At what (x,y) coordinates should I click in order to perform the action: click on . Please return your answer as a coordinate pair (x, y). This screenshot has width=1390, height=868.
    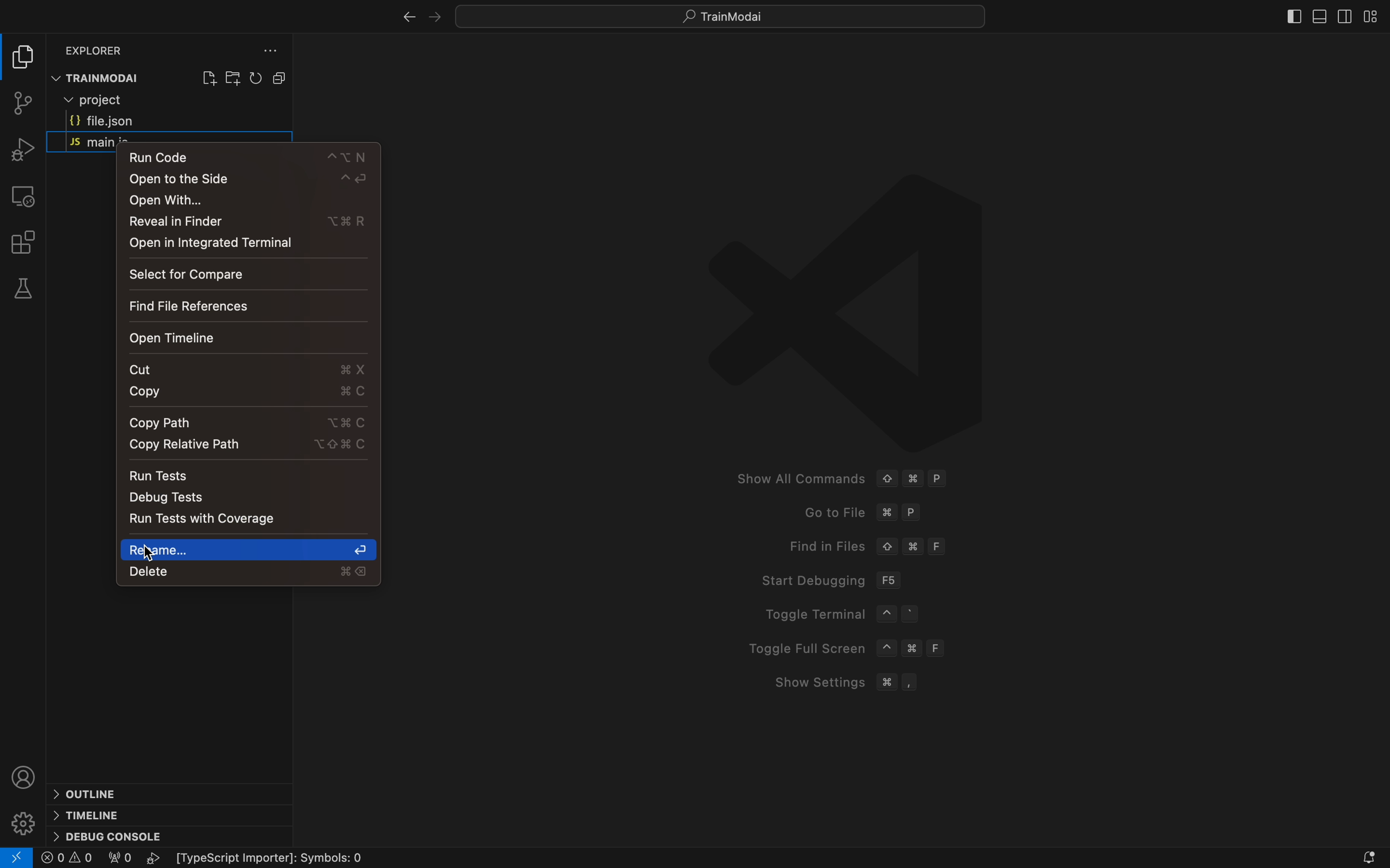
    Looking at the image, I should click on (248, 474).